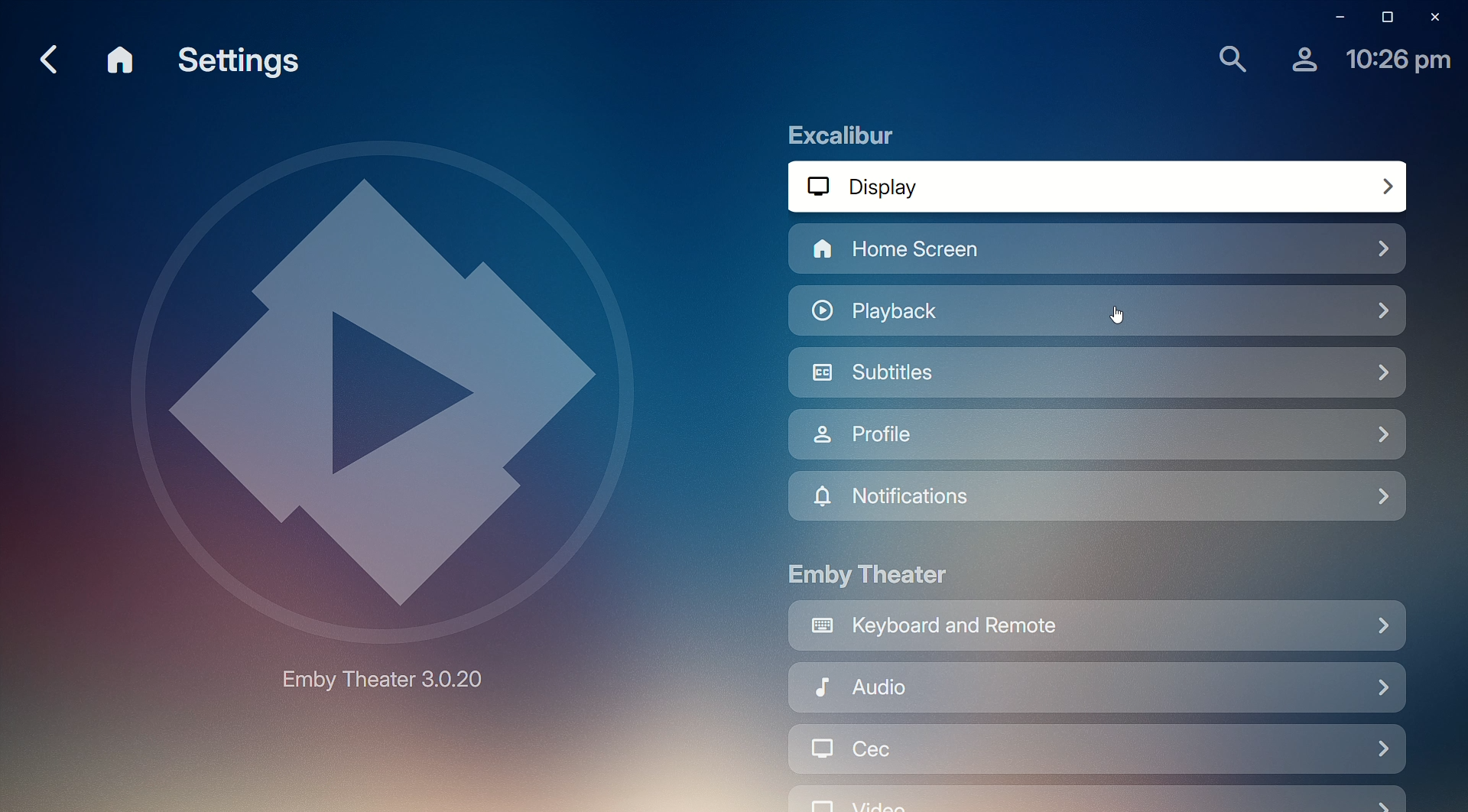  What do you see at coordinates (1096, 754) in the screenshot?
I see `CEC` at bounding box center [1096, 754].